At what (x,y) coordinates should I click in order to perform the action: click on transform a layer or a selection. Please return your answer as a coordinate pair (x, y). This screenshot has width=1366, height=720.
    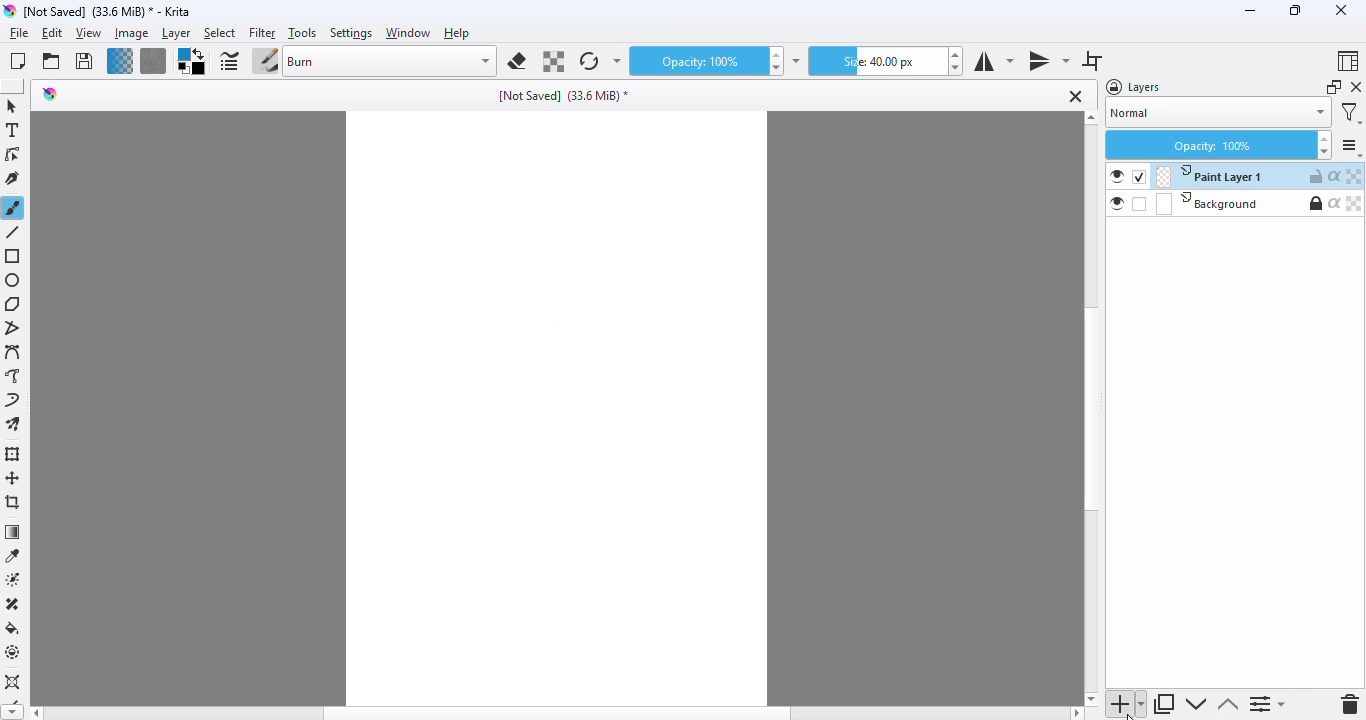
    Looking at the image, I should click on (13, 454).